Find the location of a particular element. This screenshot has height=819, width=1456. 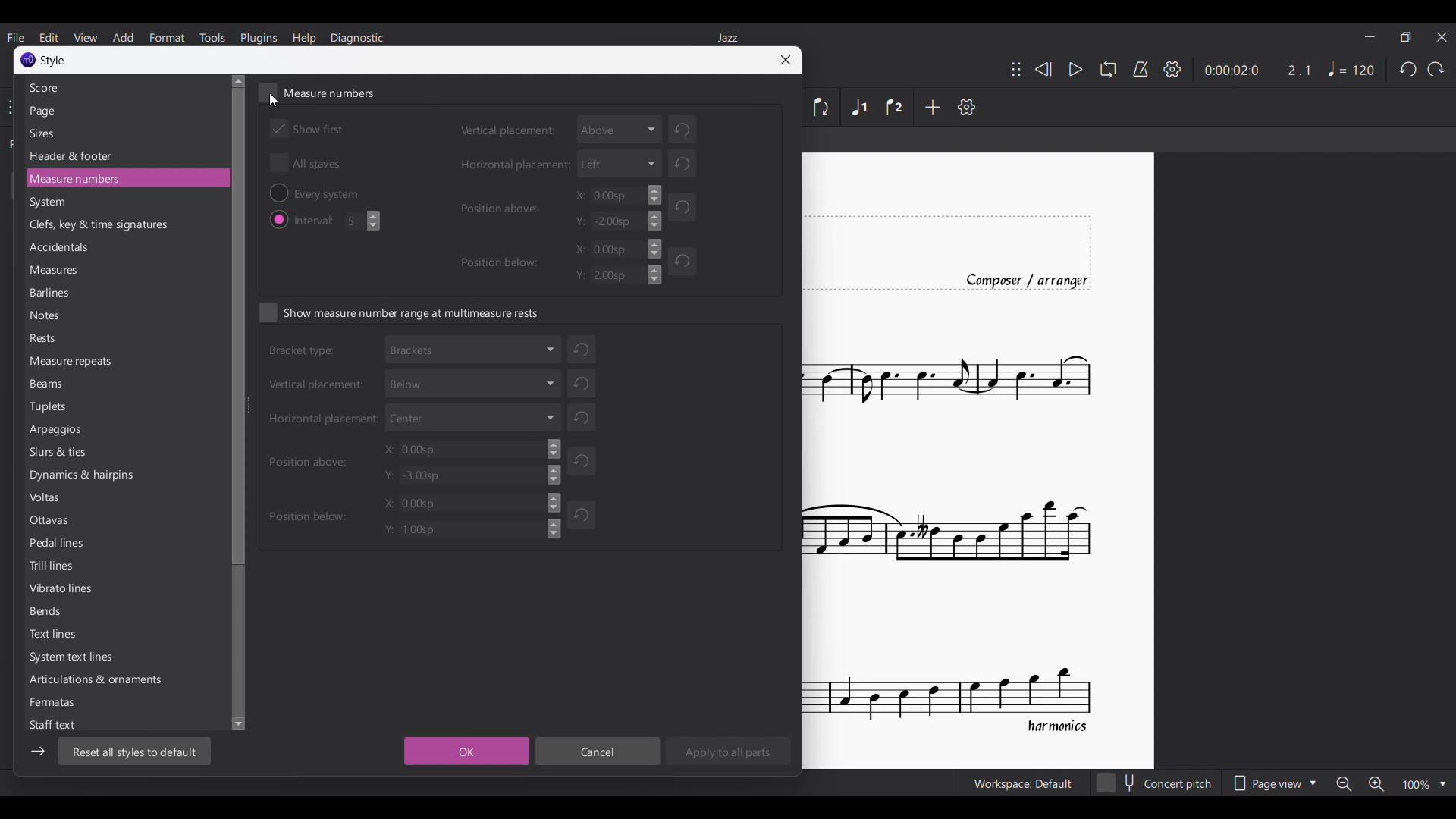

Customize settings is located at coordinates (966, 107).